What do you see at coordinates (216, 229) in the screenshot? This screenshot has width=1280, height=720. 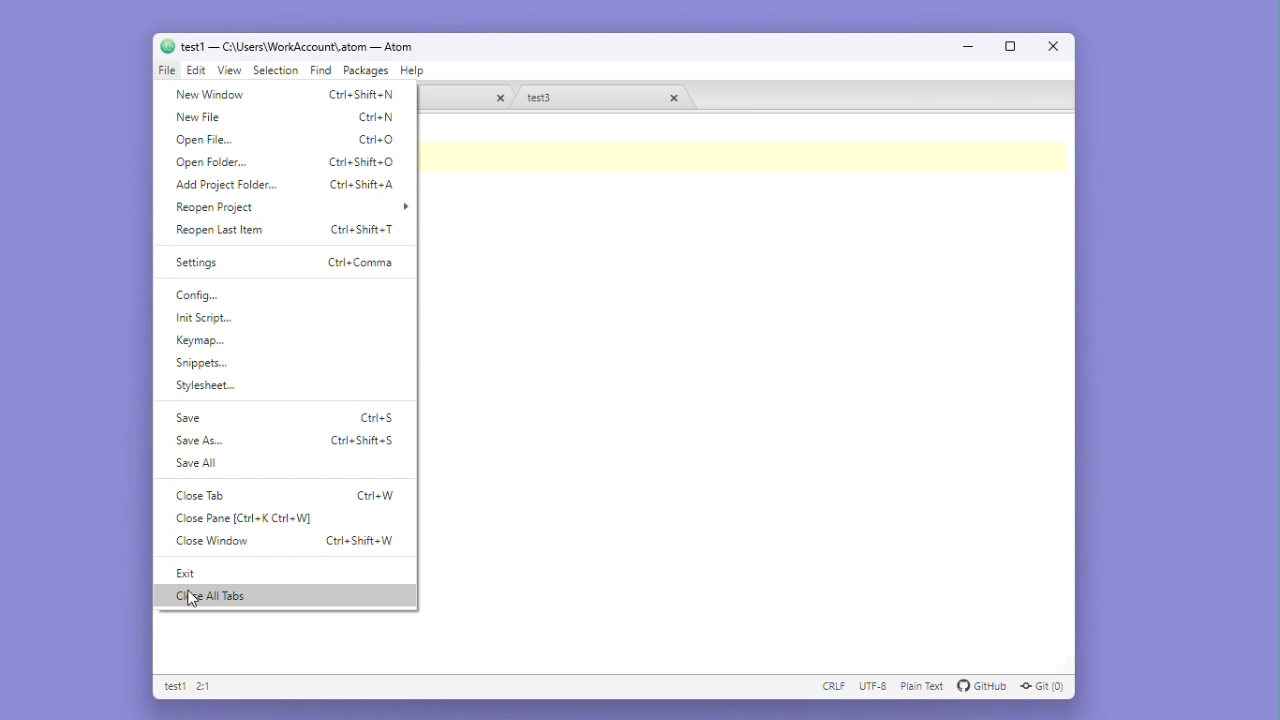 I see `Reopen Last item` at bounding box center [216, 229].